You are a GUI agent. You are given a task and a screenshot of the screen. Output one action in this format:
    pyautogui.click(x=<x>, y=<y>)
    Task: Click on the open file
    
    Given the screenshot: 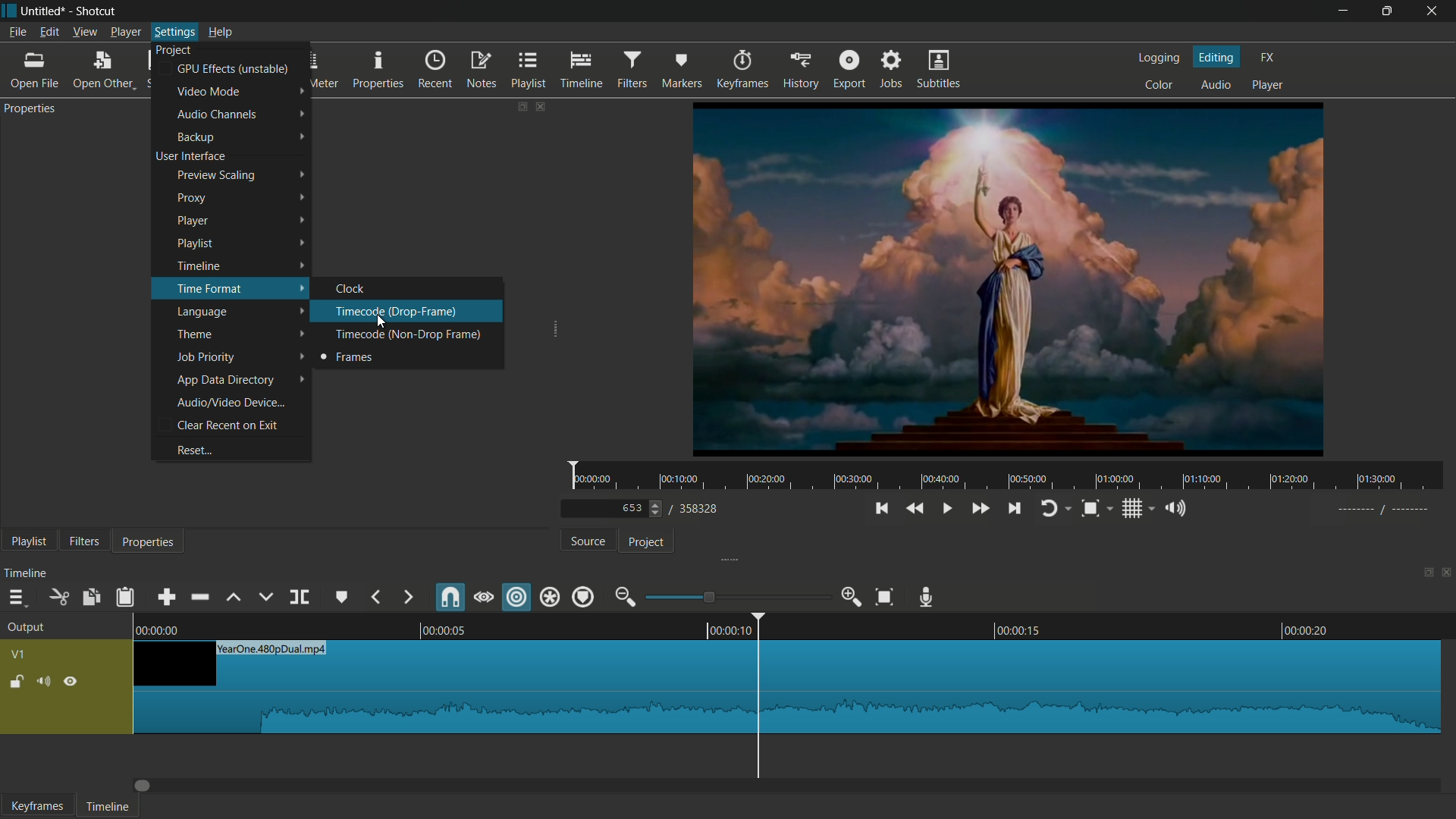 What is the action you would take?
    pyautogui.click(x=31, y=69)
    